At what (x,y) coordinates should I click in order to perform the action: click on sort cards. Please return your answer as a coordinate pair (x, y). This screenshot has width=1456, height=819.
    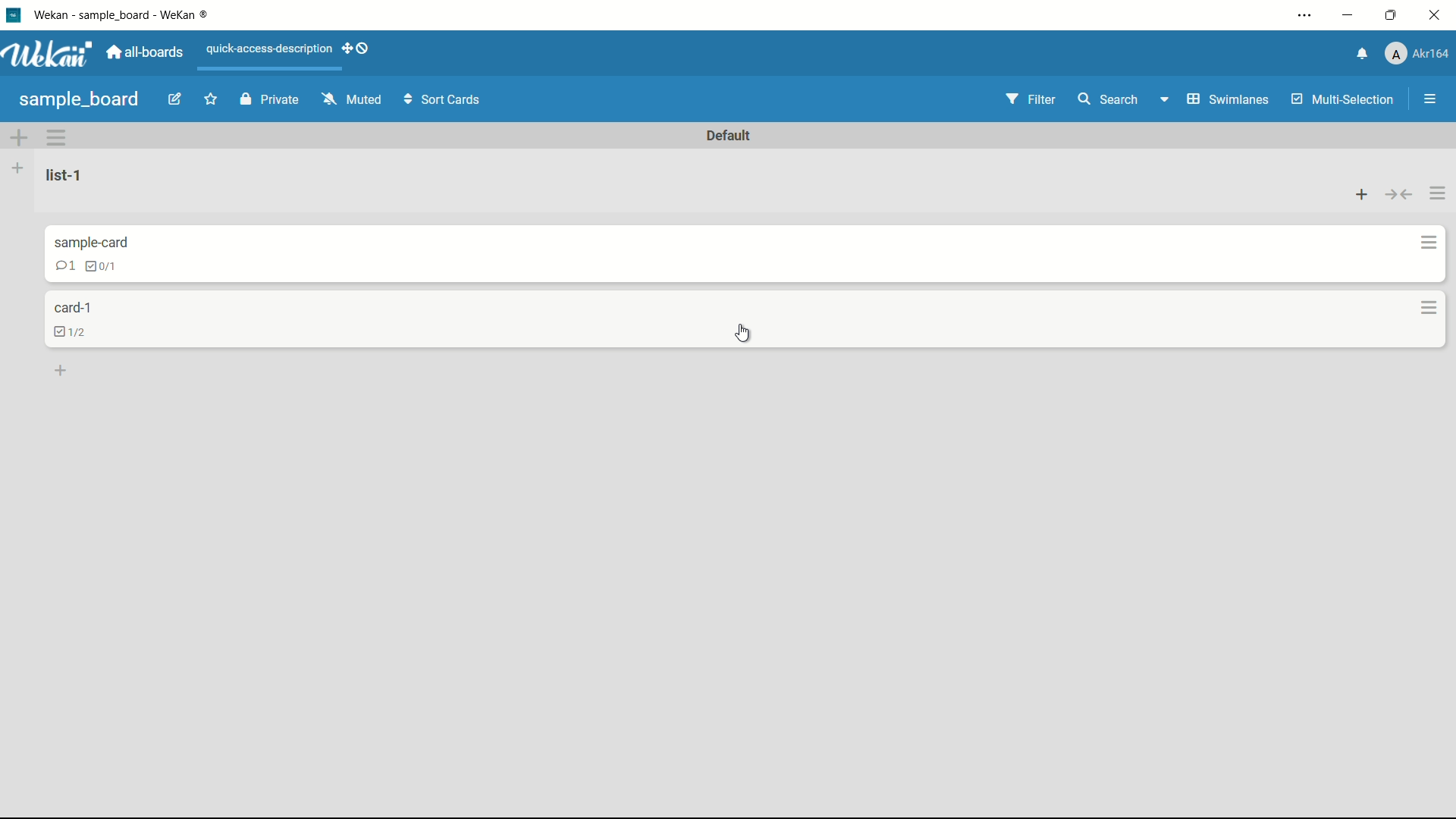
    Looking at the image, I should click on (441, 99).